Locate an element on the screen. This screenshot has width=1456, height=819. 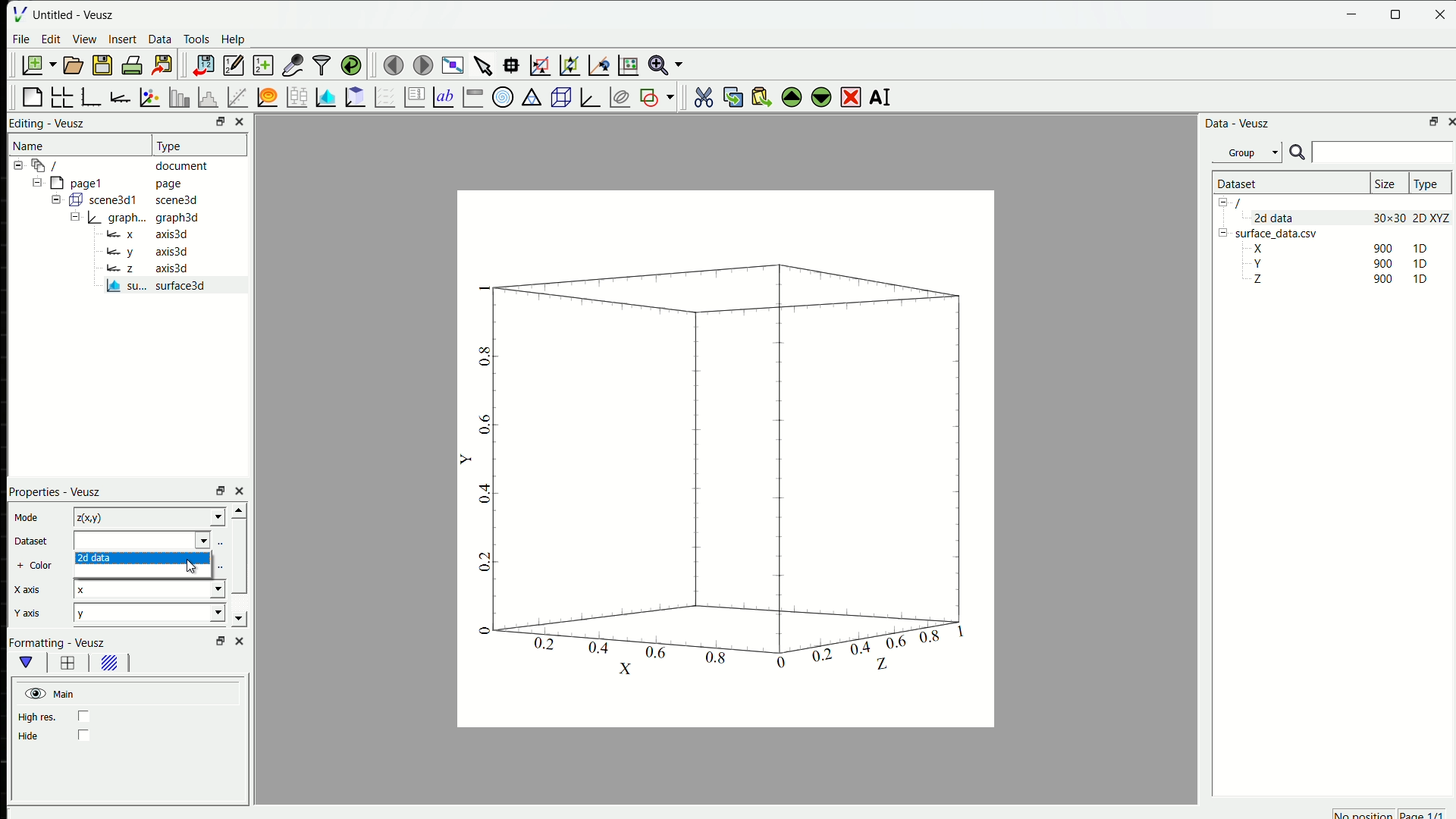
 is located at coordinates (116, 217).